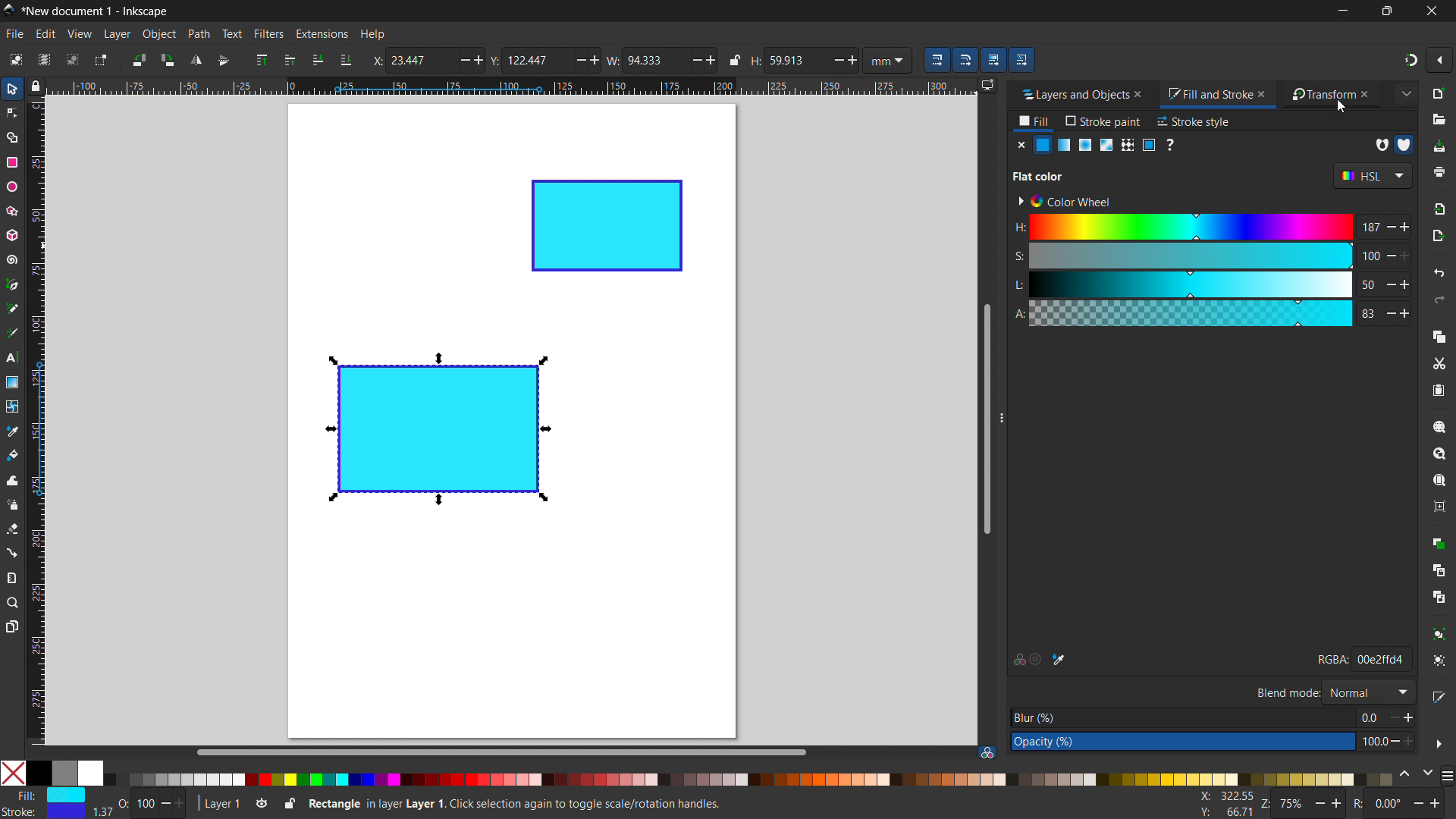 The image size is (1456, 819). Describe the element at coordinates (510, 88) in the screenshot. I see `horizontal ruler` at that location.